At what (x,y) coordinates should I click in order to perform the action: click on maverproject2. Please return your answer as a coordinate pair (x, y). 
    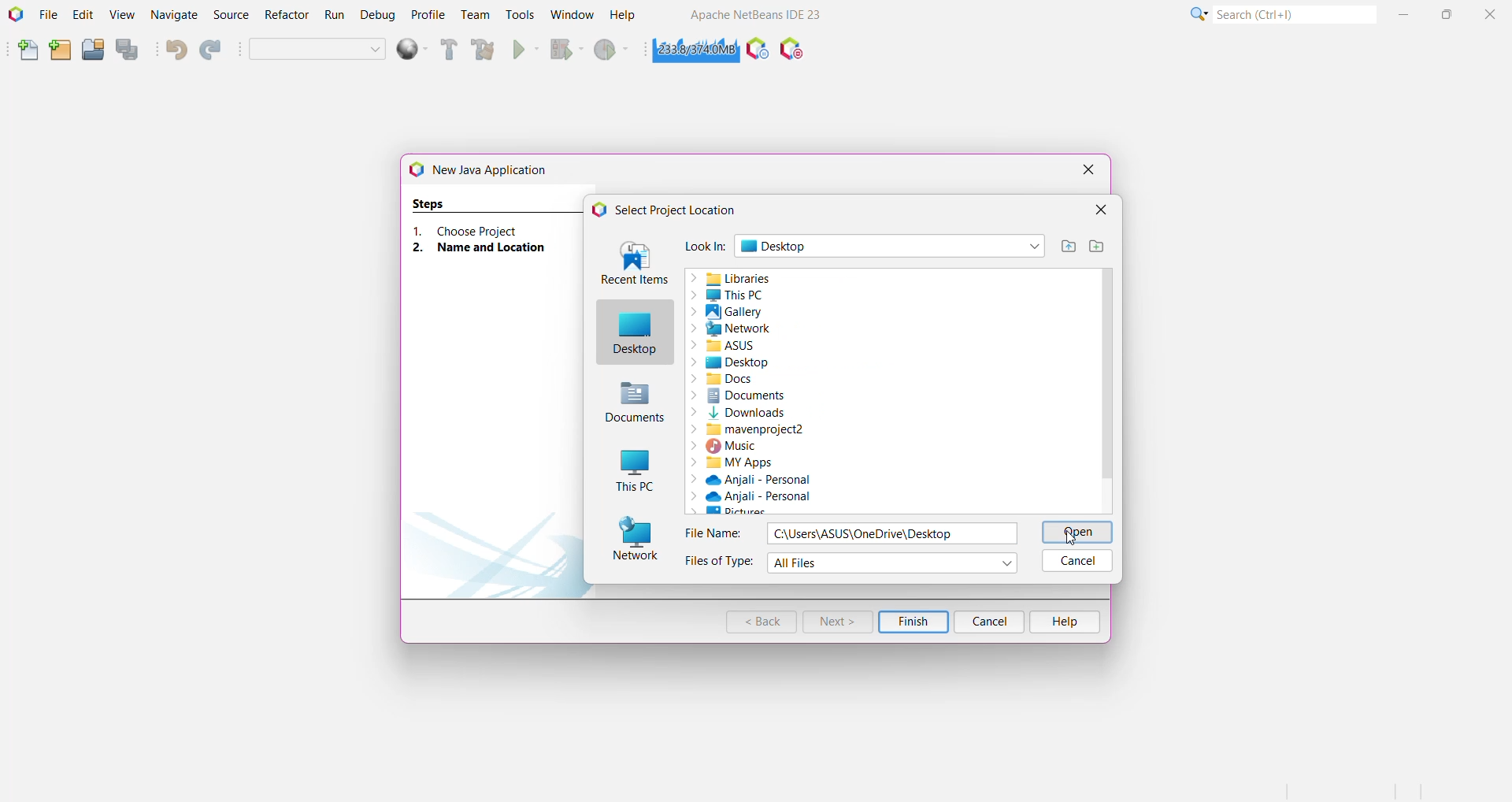
    Looking at the image, I should click on (880, 429).